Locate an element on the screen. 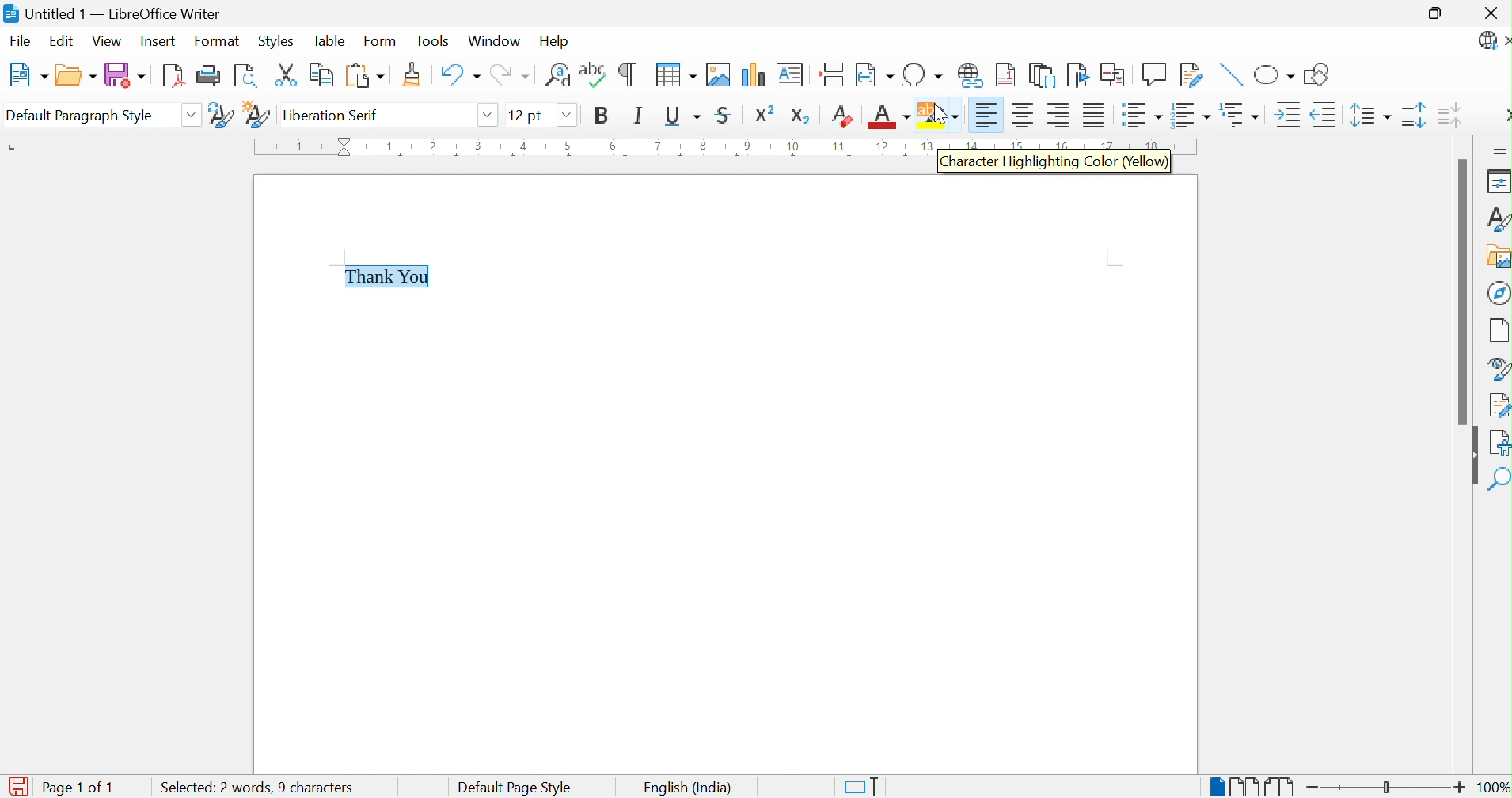  Character Highlighting Color is located at coordinates (940, 112).